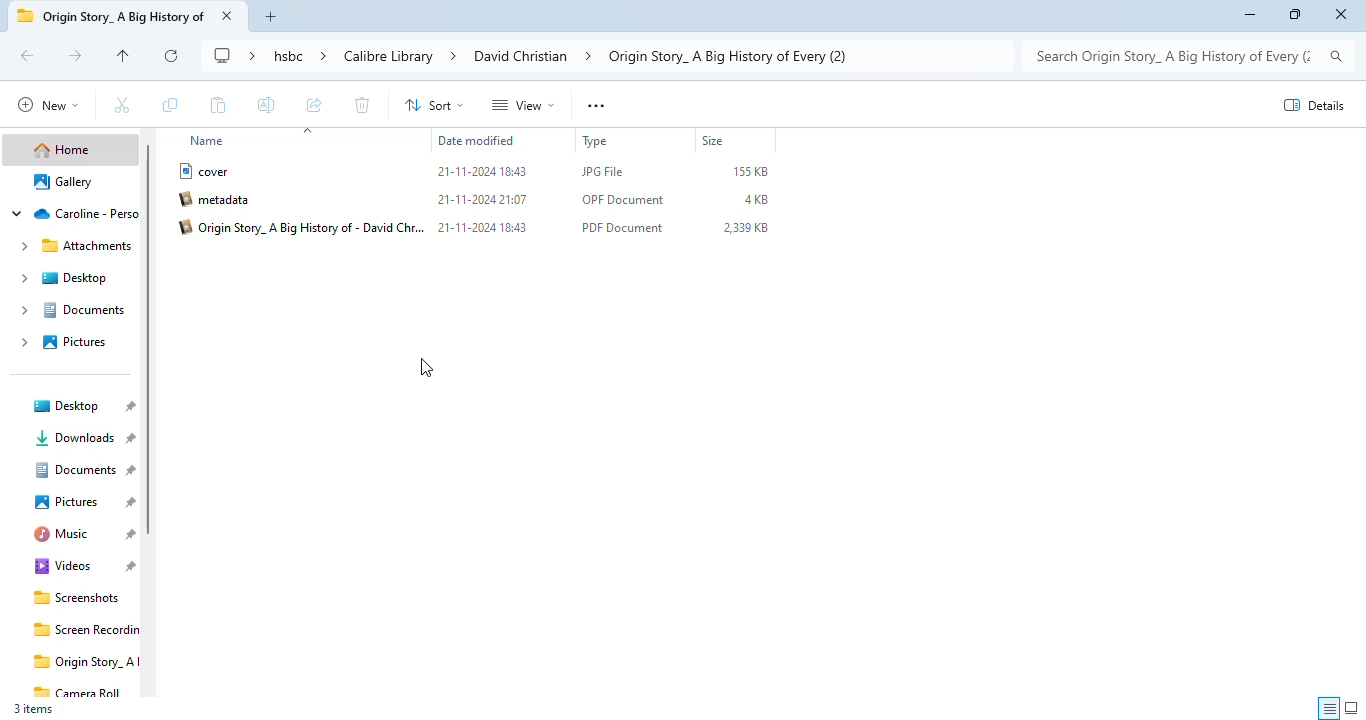  What do you see at coordinates (435, 105) in the screenshot?
I see `sort` at bounding box center [435, 105].